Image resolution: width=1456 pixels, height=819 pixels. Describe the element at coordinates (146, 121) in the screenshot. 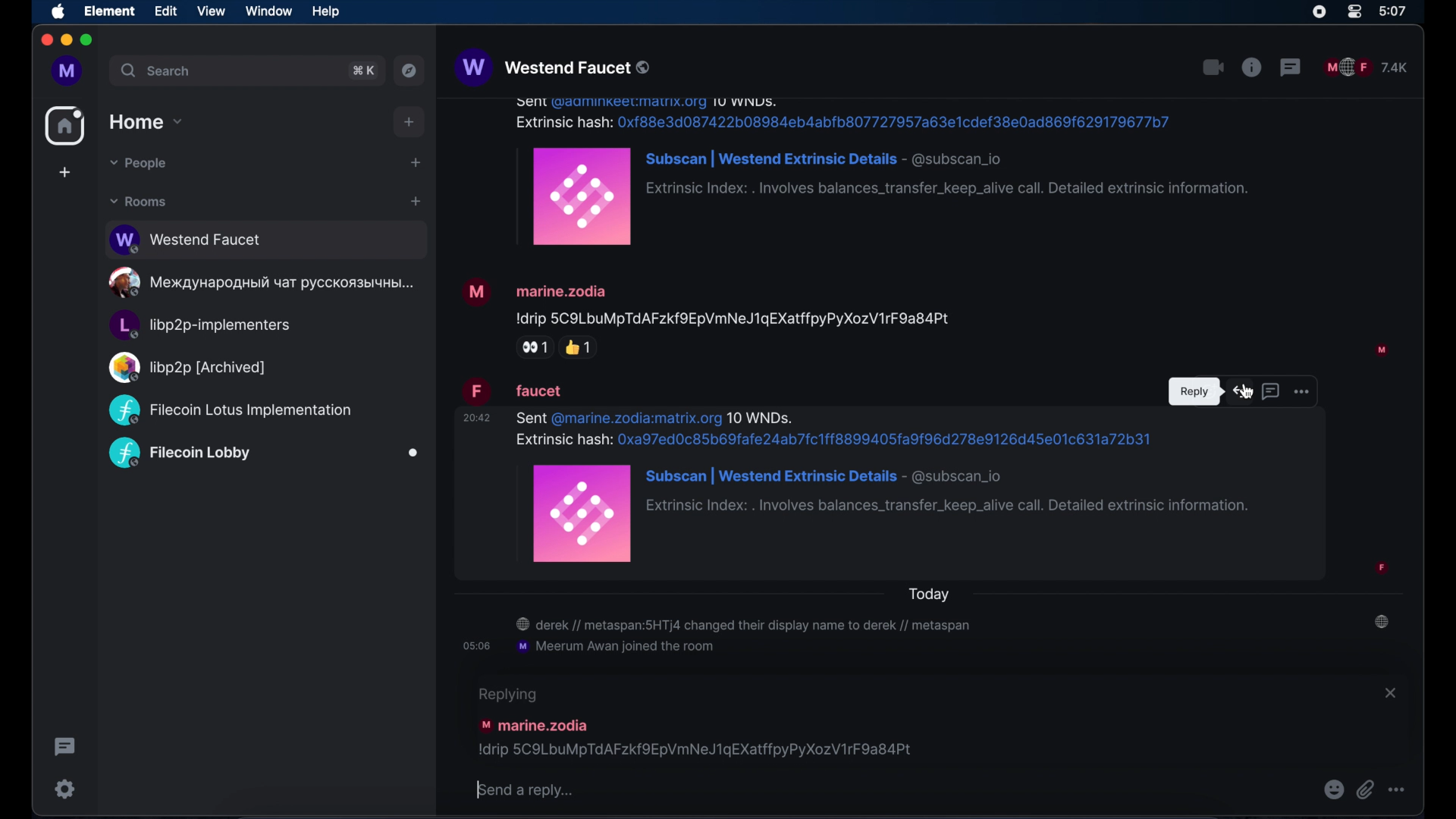

I see `home drop down` at that location.